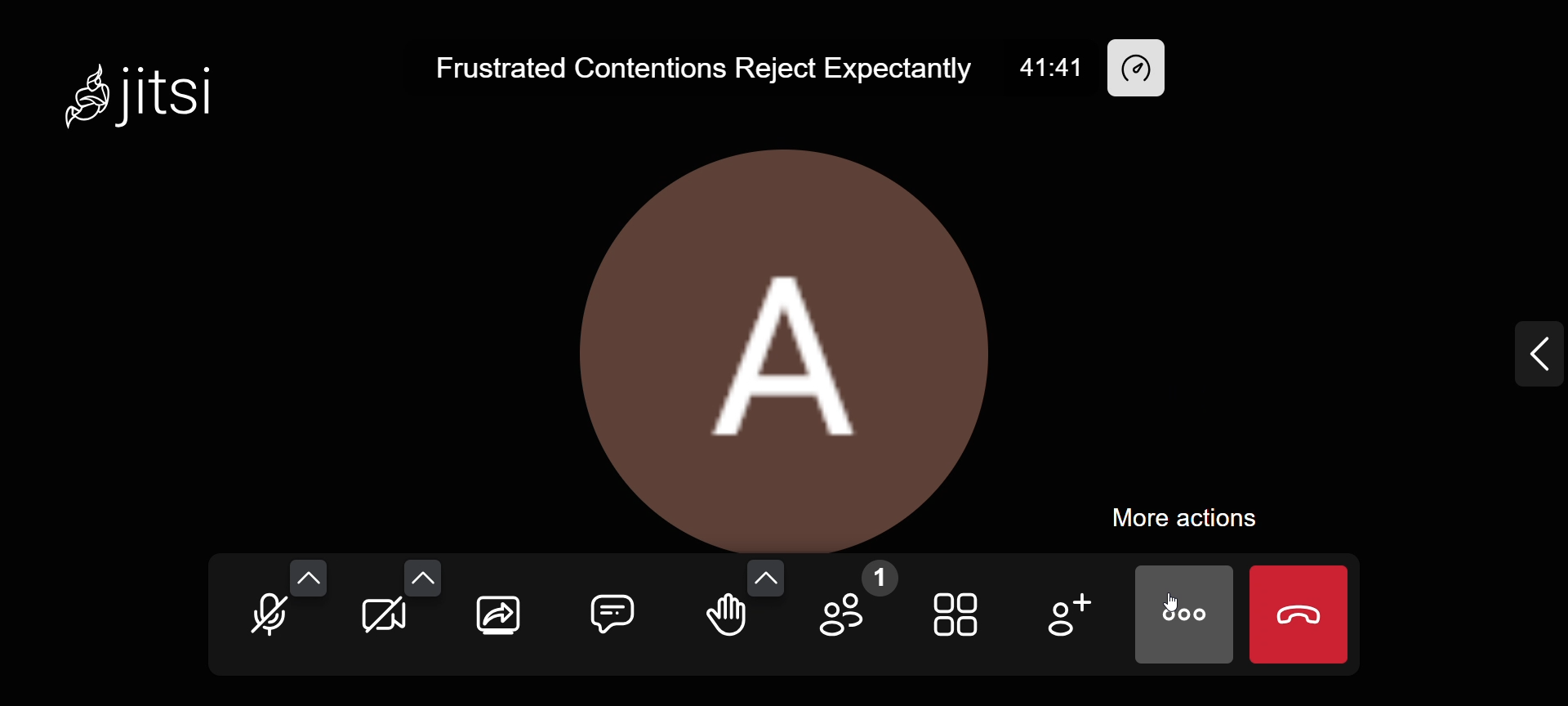 Image resolution: width=1568 pixels, height=706 pixels. I want to click on add participants, so click(1065, 614).